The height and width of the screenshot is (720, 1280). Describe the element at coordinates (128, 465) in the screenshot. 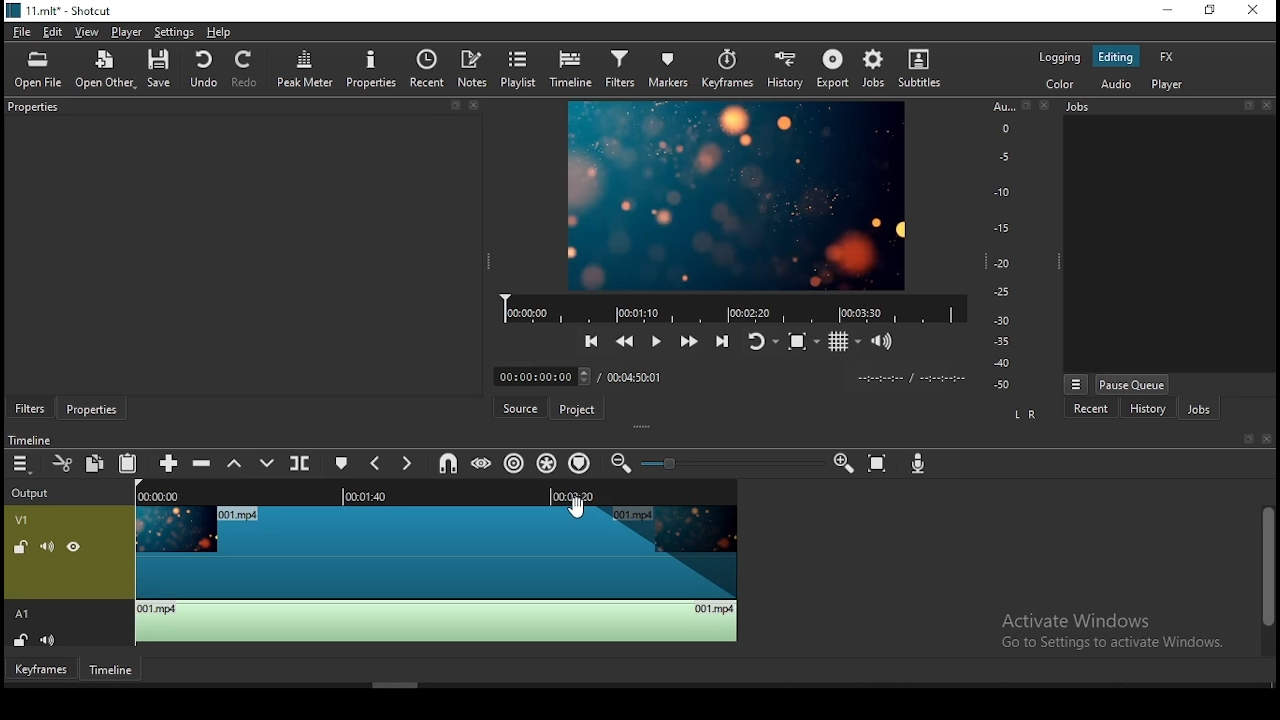

I see `paste` at that location.